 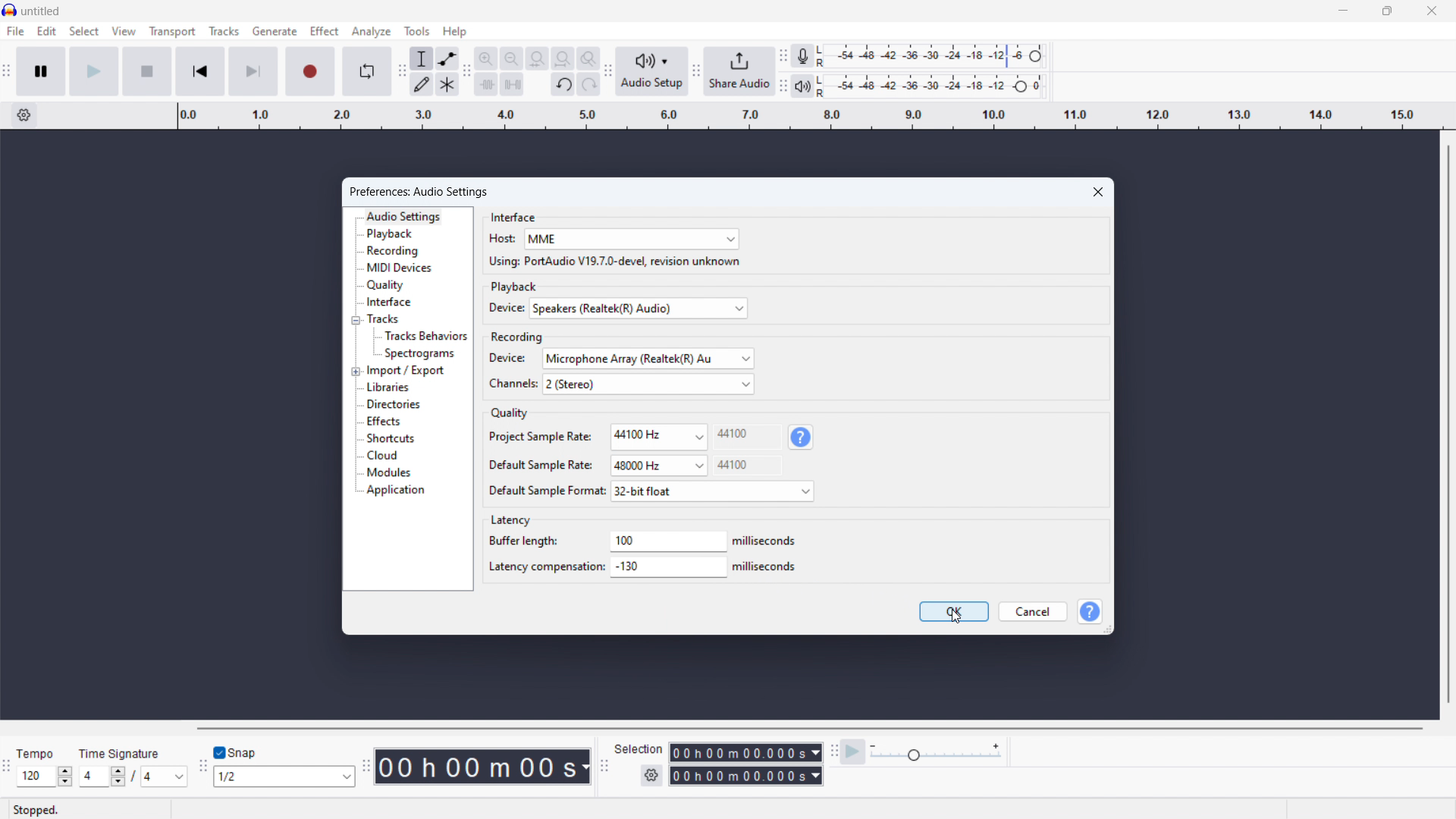 I want to click on effect, so click(x=324, y=30).